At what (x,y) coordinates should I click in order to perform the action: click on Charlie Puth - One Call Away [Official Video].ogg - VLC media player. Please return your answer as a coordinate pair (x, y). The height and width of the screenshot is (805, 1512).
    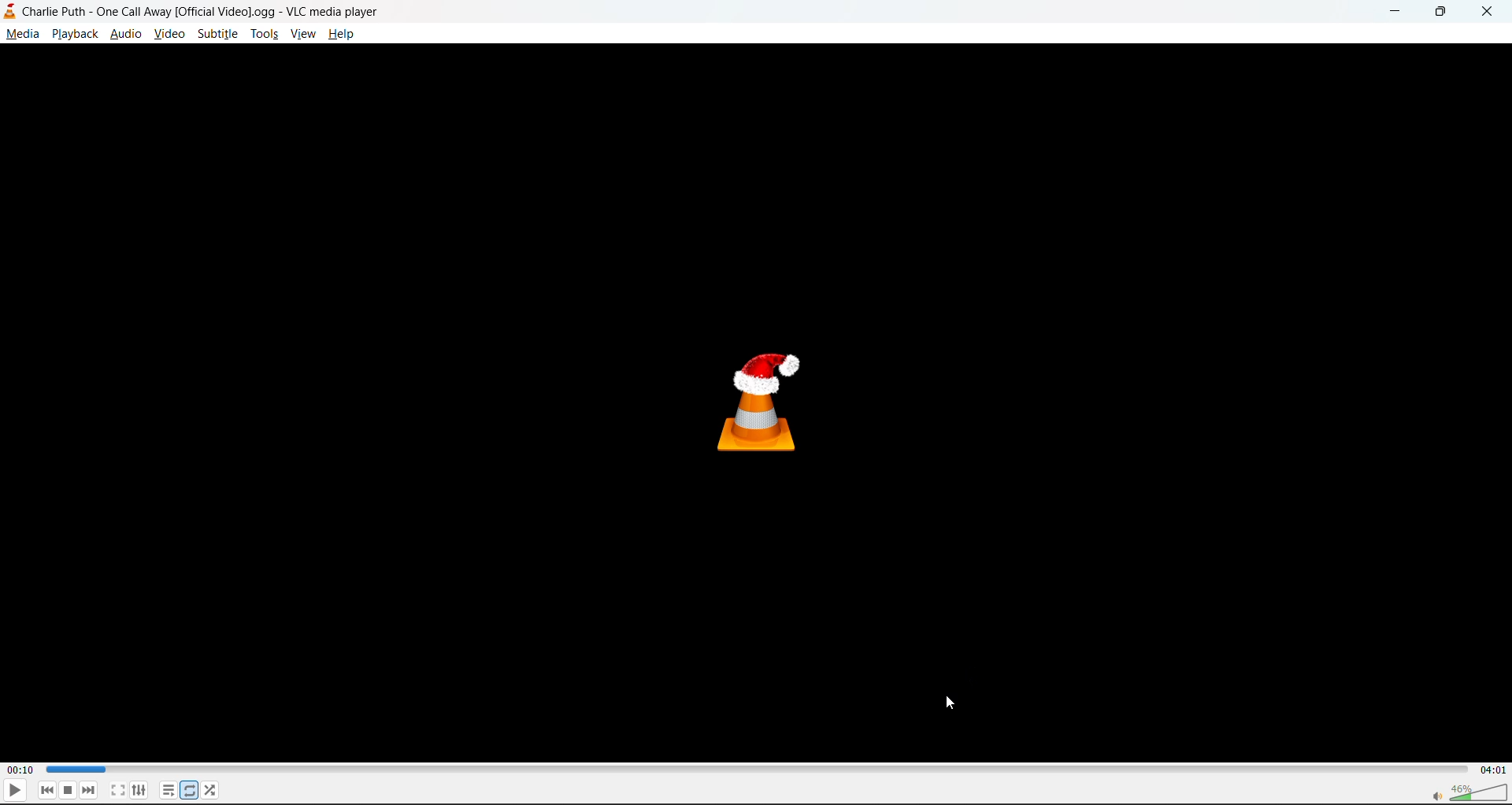
    Looking at the image, I should click on (198, 11).